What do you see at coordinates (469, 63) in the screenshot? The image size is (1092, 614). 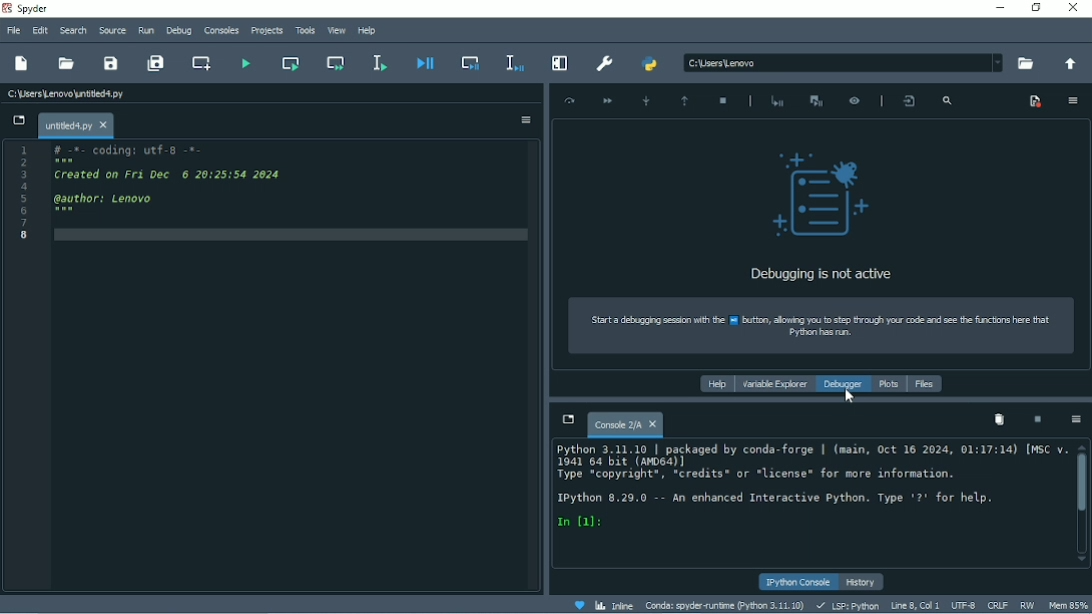 I see `Debug cell` at bounding box center [469, 63].